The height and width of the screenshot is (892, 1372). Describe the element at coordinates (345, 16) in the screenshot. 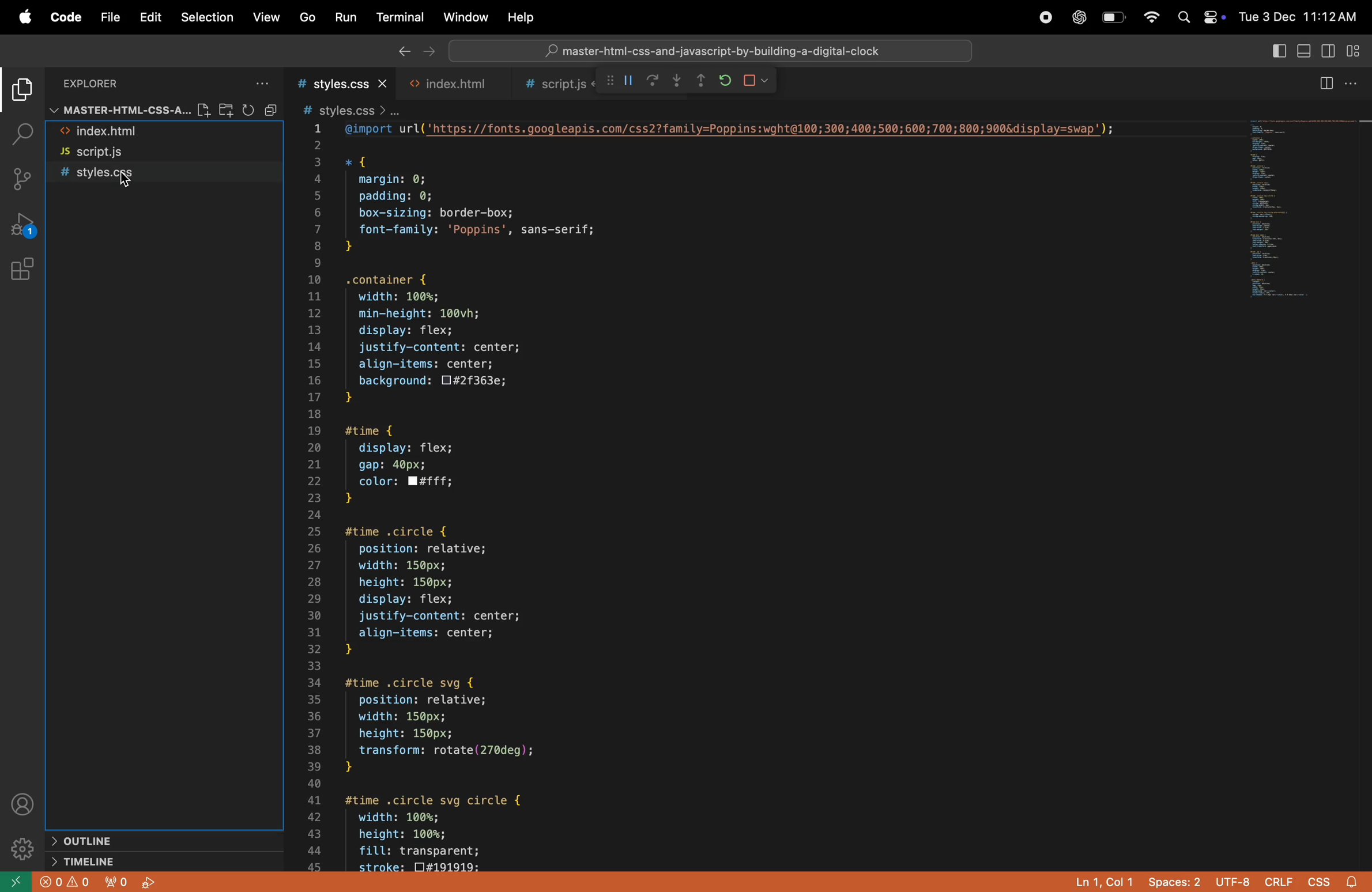

I see `run` at that location.